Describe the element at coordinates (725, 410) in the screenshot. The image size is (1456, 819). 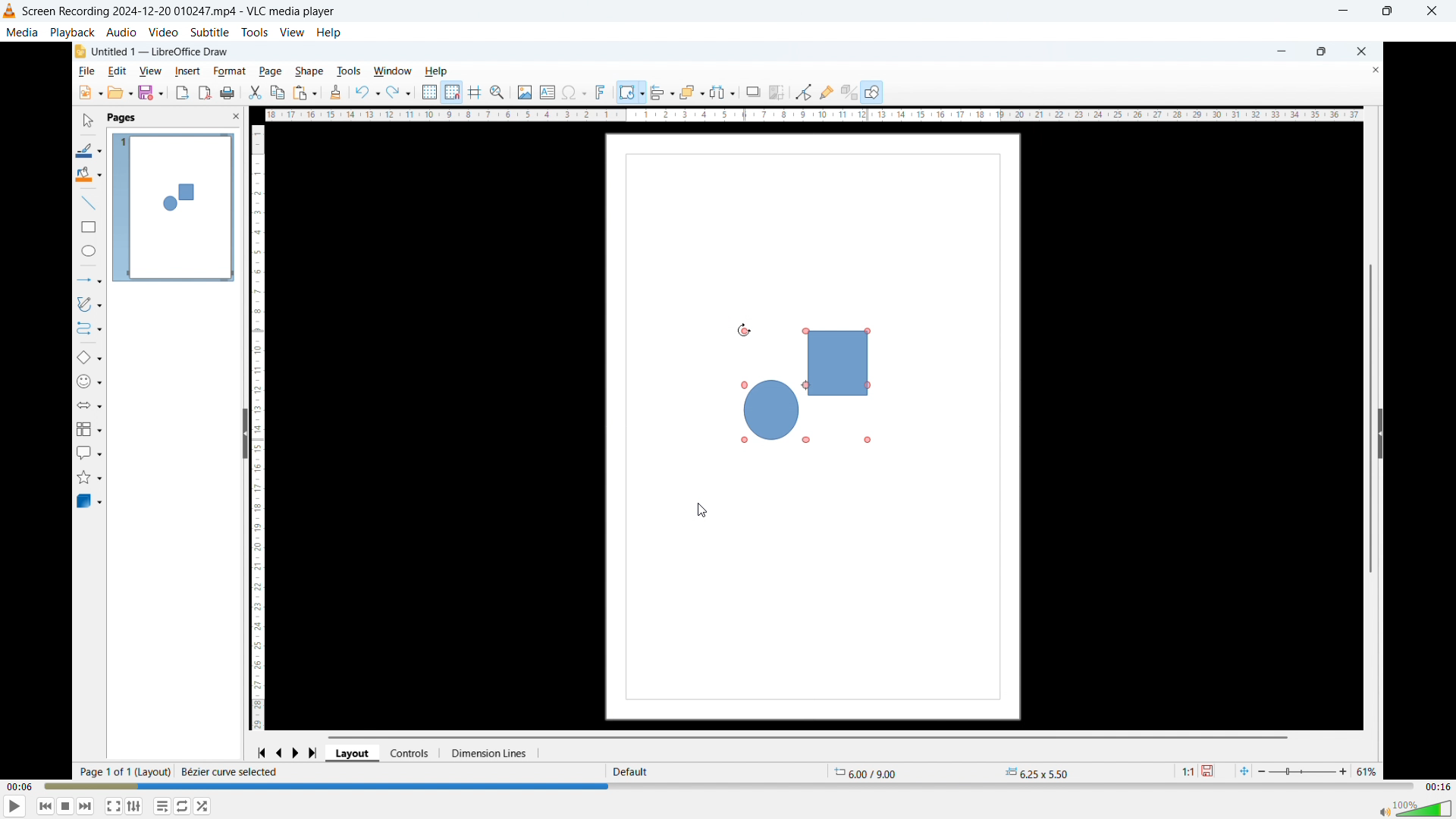
I see `Video playback ` at that location.